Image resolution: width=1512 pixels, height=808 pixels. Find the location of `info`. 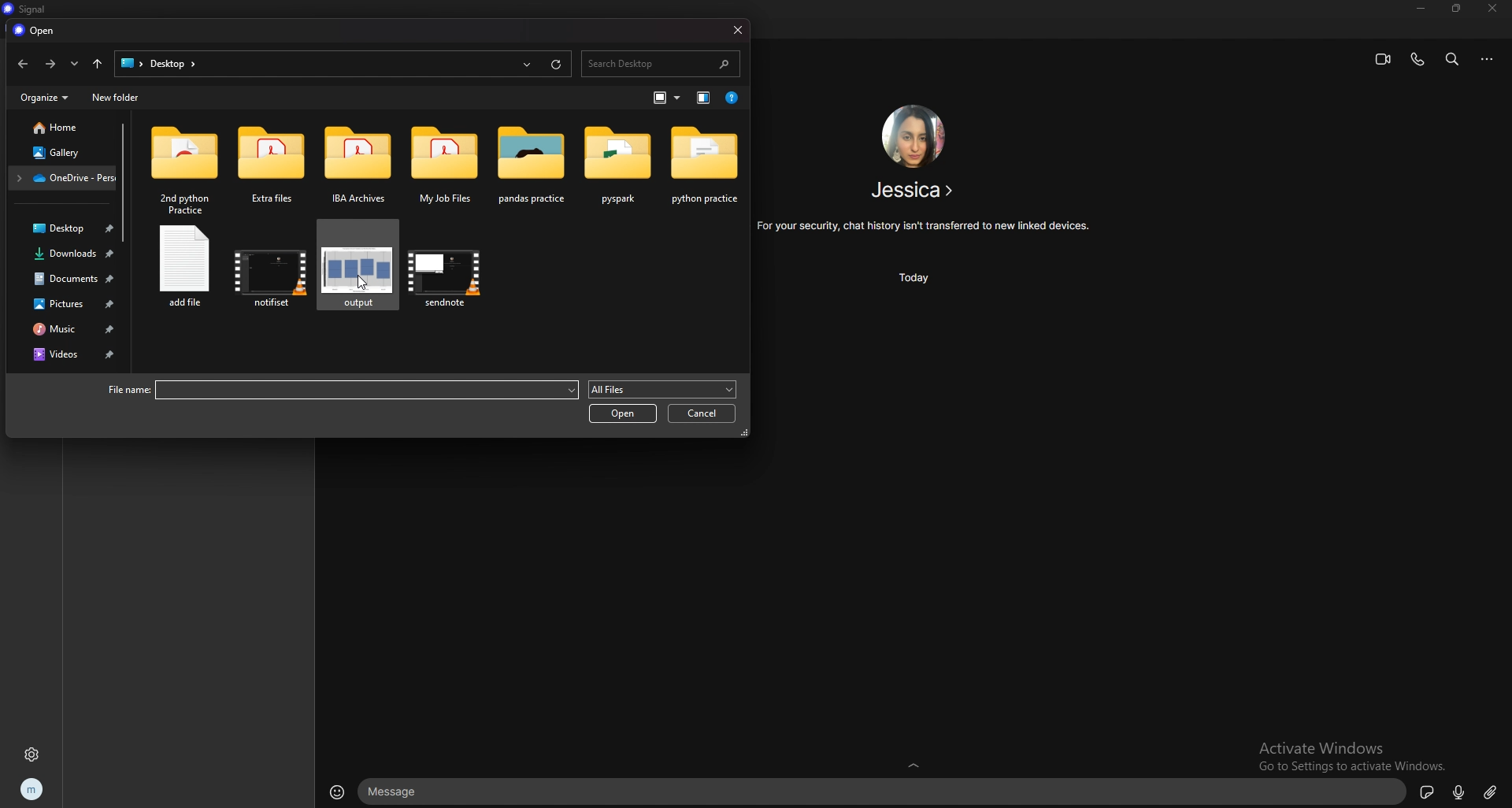

info is located at coordinates (925, 227).